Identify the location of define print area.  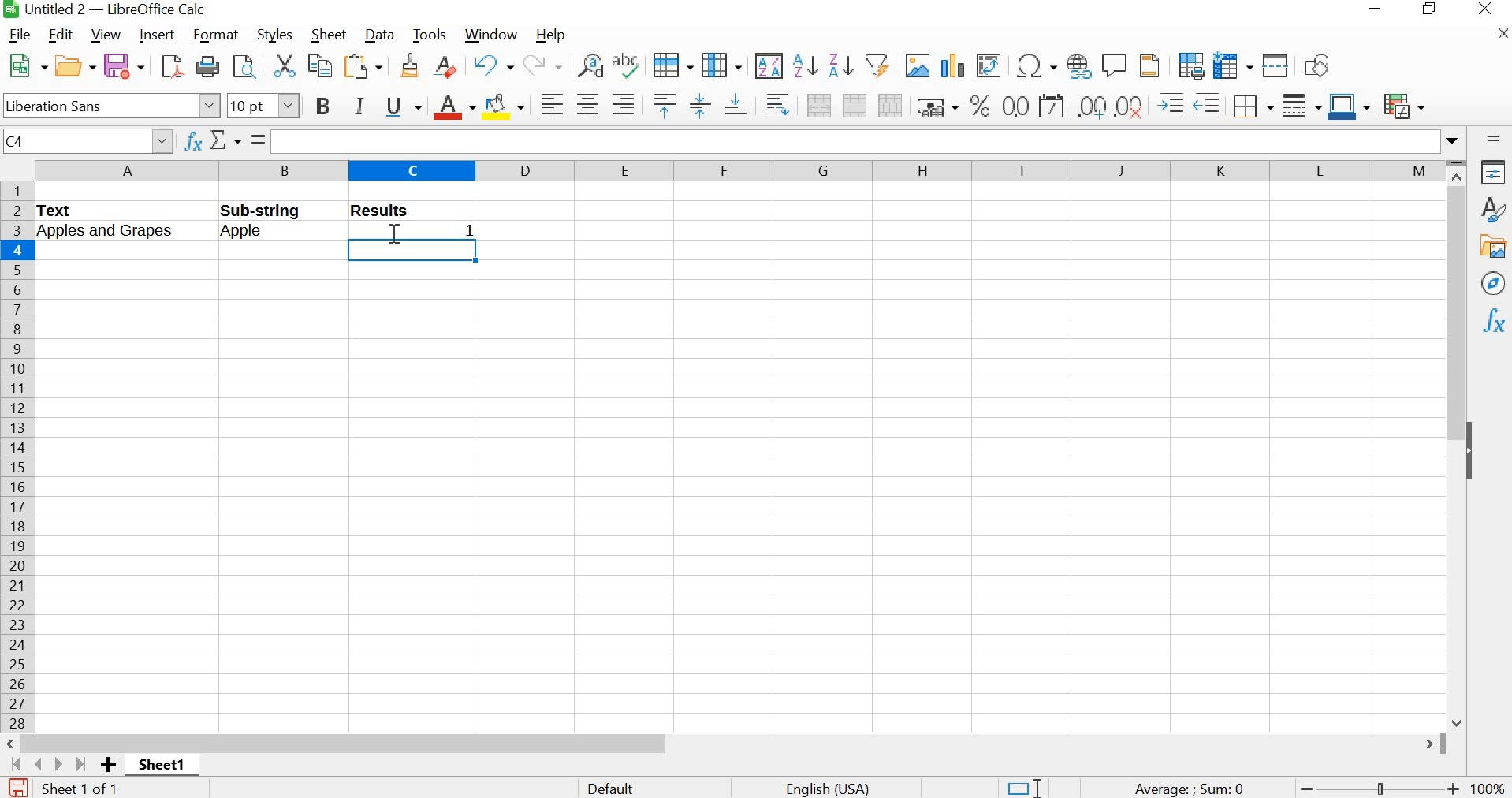
(1190, 64).